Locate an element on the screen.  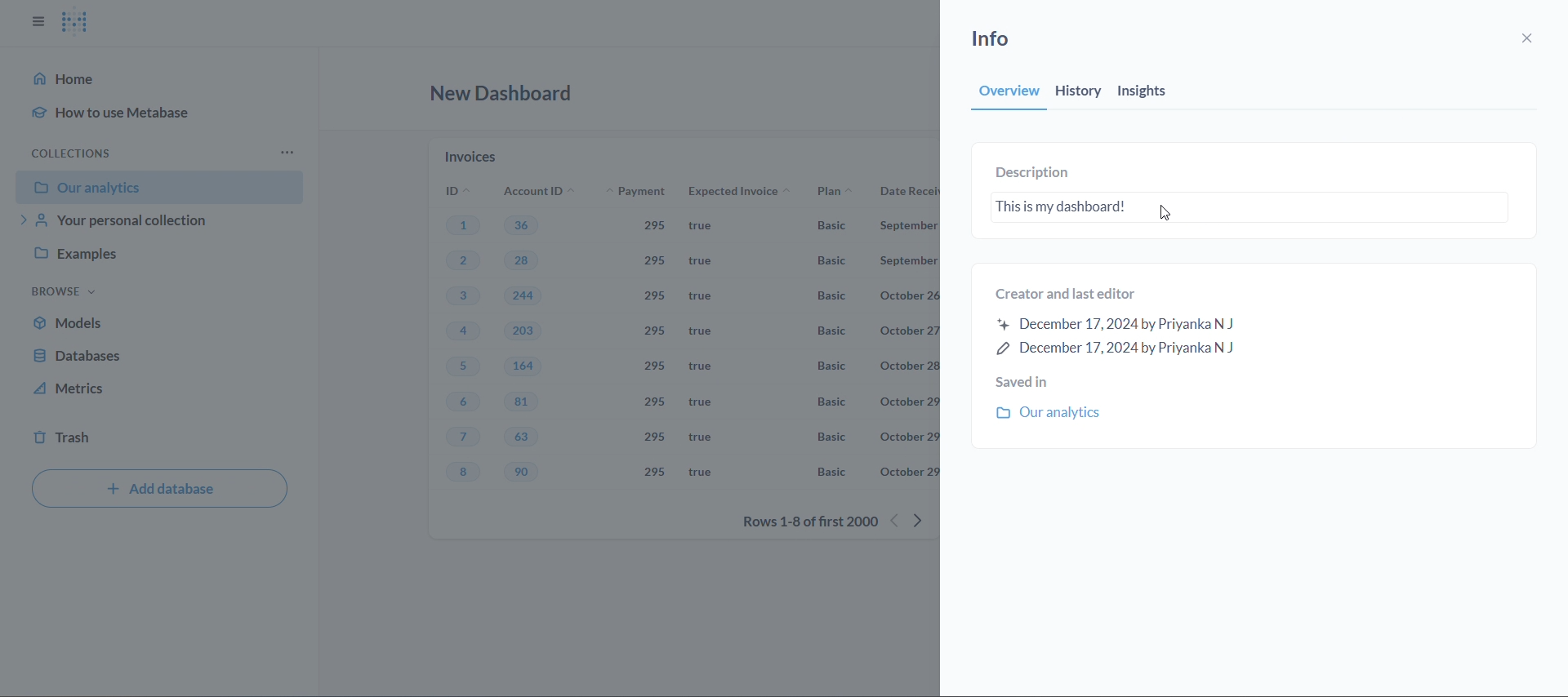
September is located at coordinates (909, 228).